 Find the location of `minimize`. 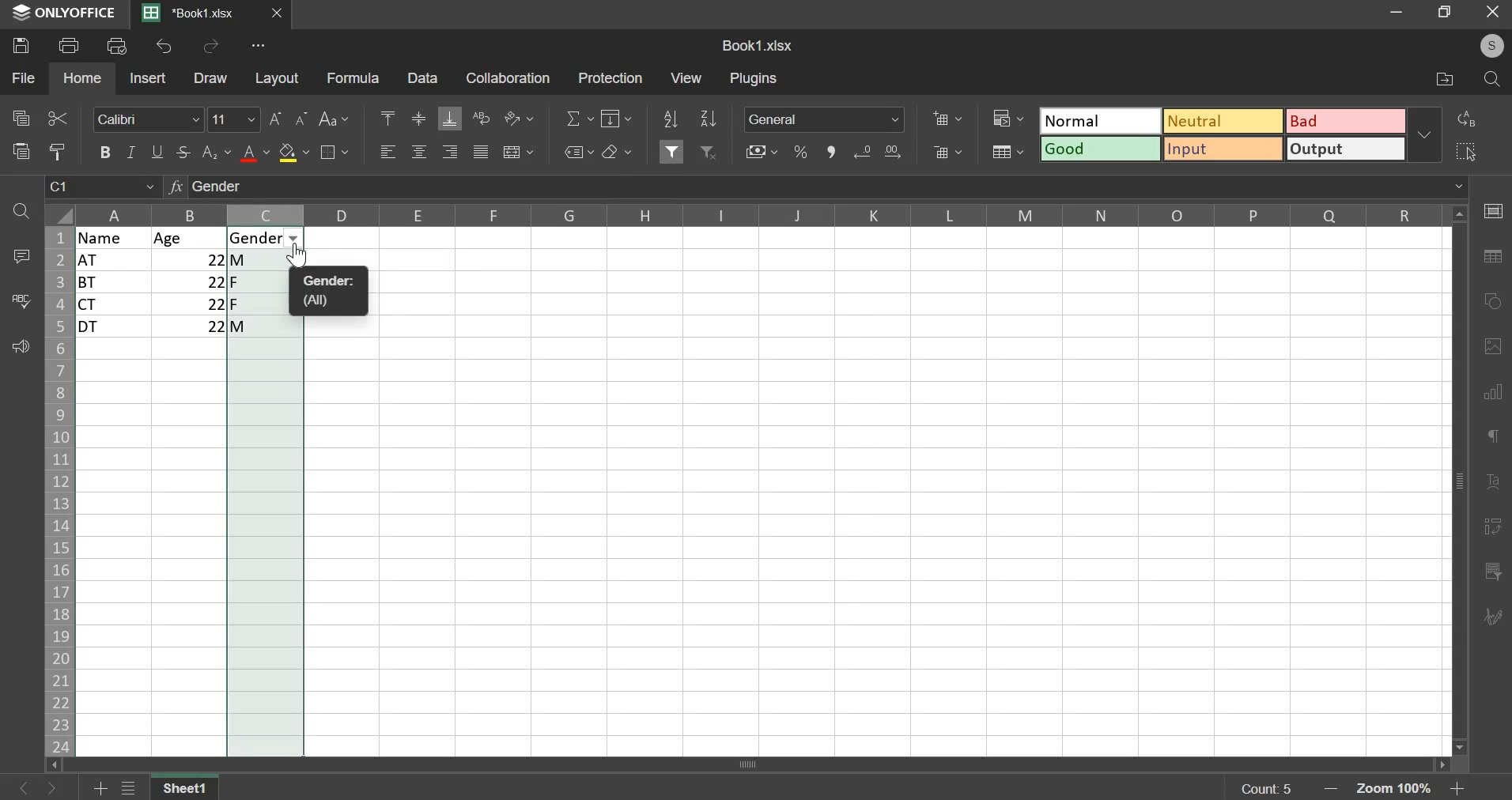

minimize is located at coordinates (1400, 14).